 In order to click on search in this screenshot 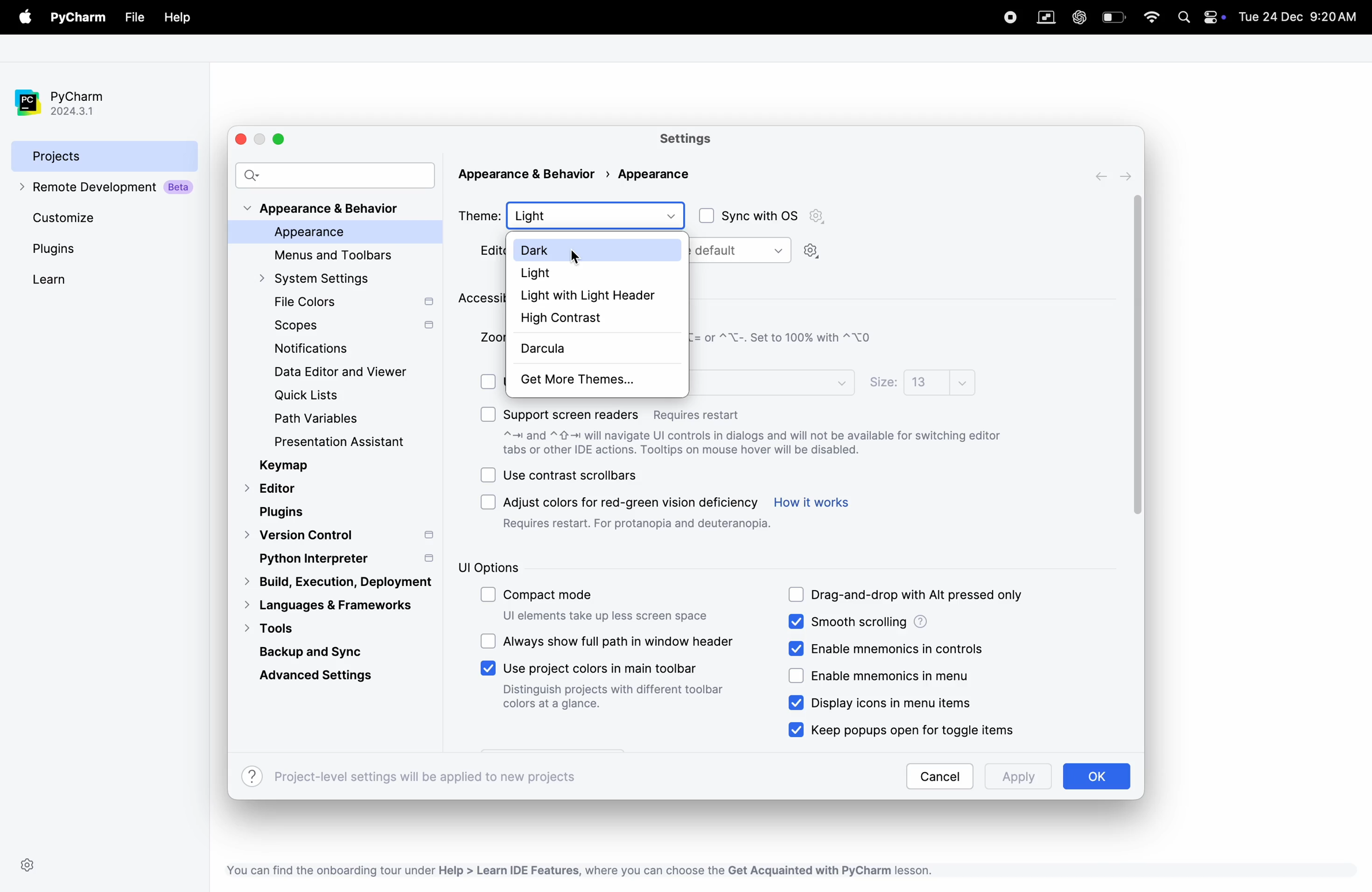, I will do `click(336, 174)`.